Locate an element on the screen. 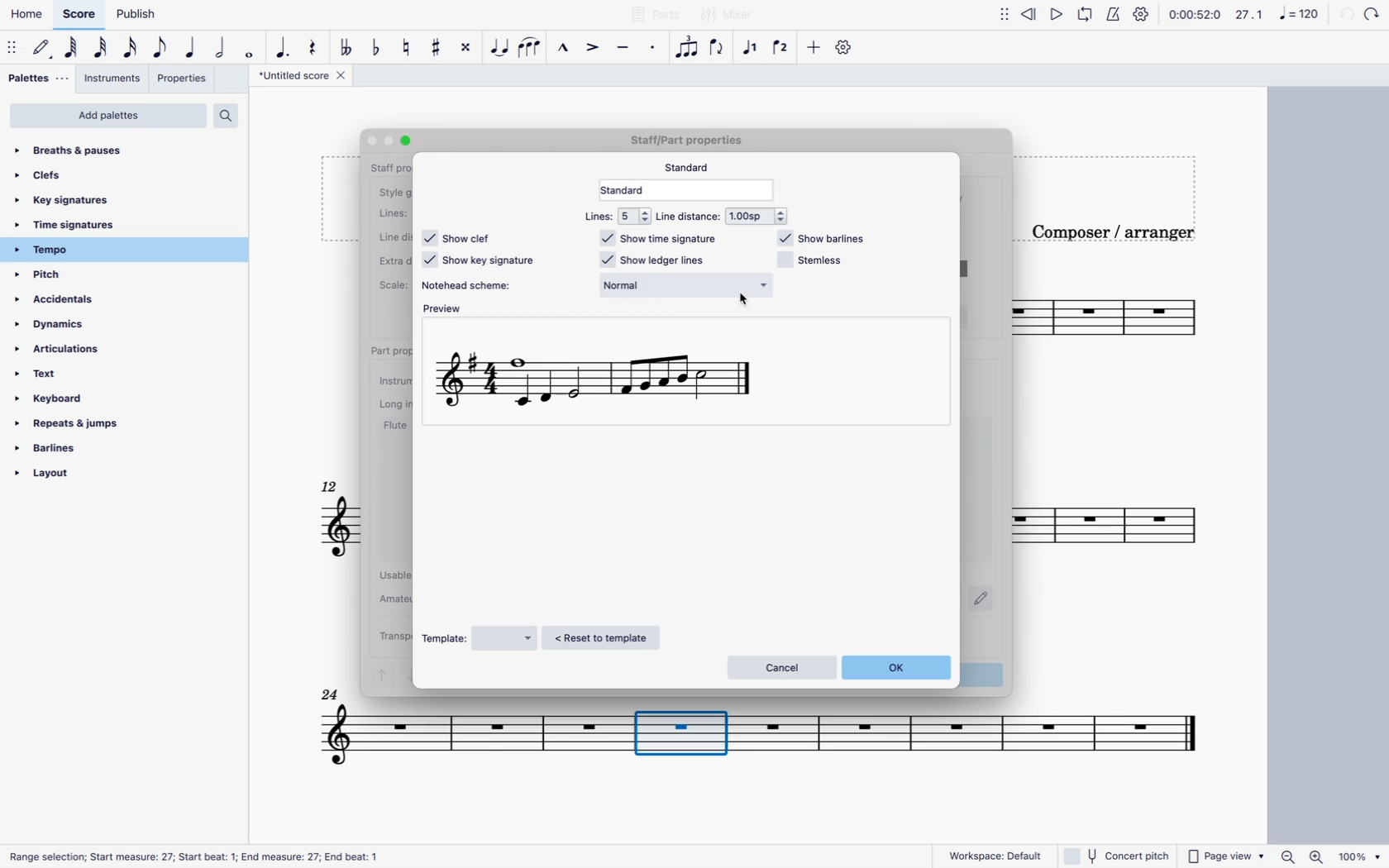  32nd note is located at coordinates (102, 49).